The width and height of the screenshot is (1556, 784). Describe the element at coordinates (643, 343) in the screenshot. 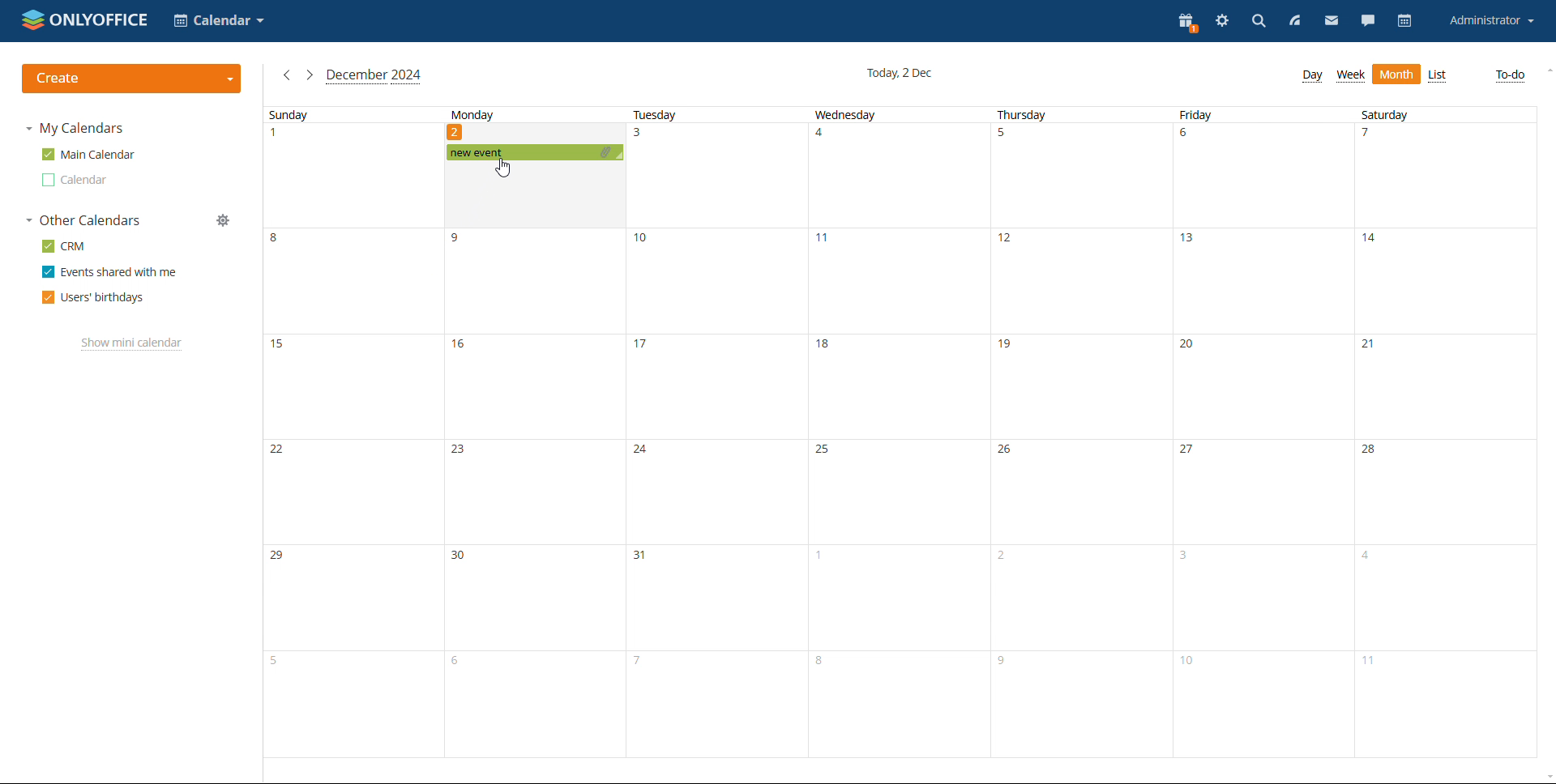

I see `17` at that location.